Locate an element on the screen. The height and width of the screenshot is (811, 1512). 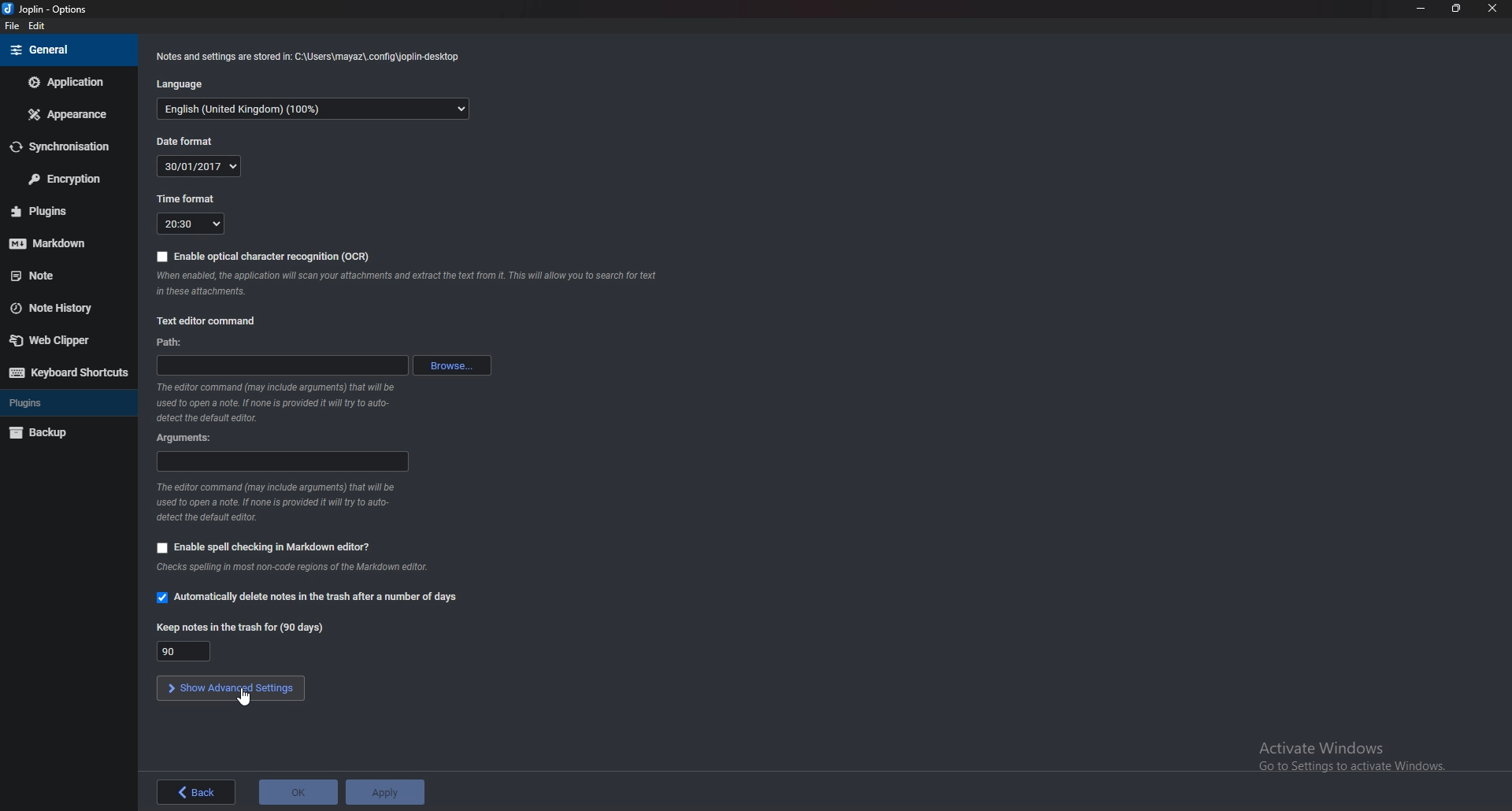
Minimize is located at coordinates (1422, 9).